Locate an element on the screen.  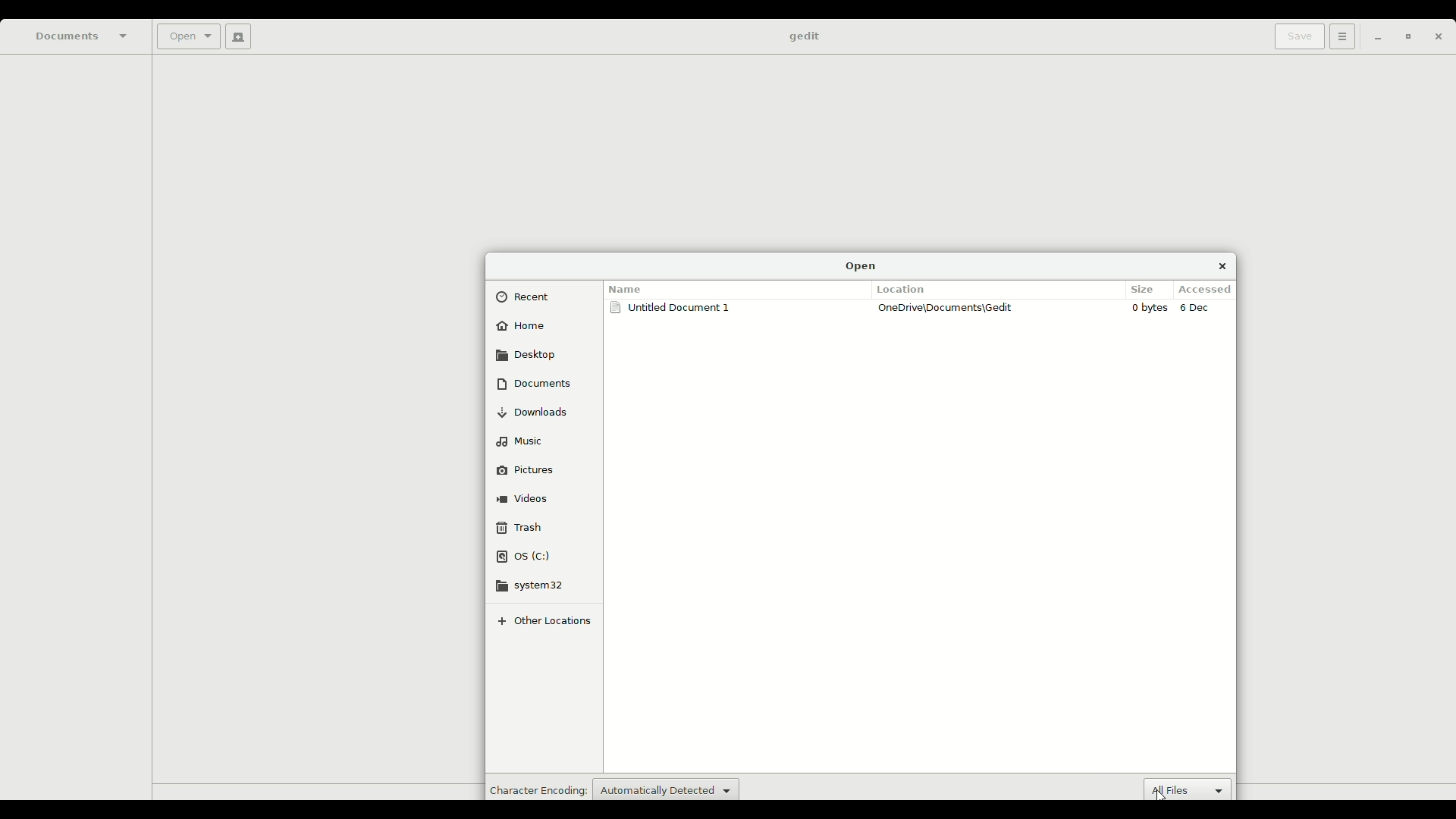
gedit is located at coordinates (803, 37).